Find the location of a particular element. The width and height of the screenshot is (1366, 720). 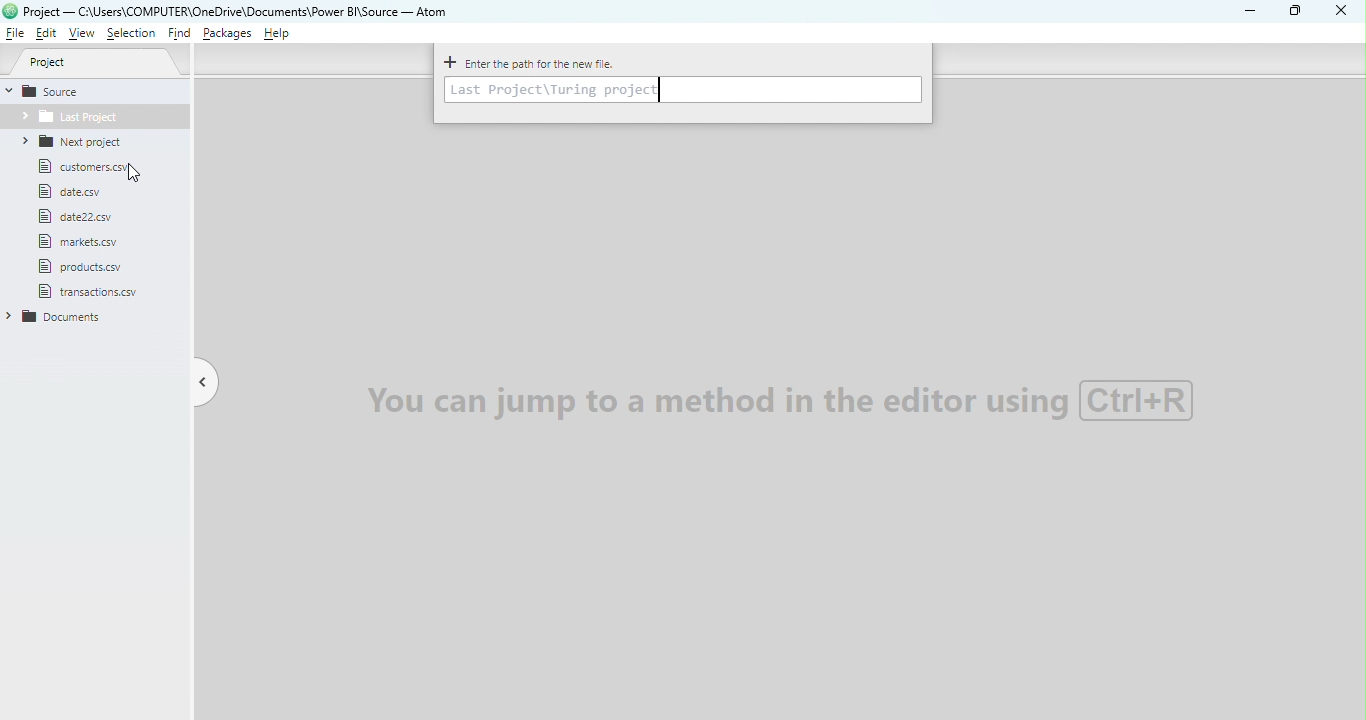

Help is located at coordinates (280, 36).